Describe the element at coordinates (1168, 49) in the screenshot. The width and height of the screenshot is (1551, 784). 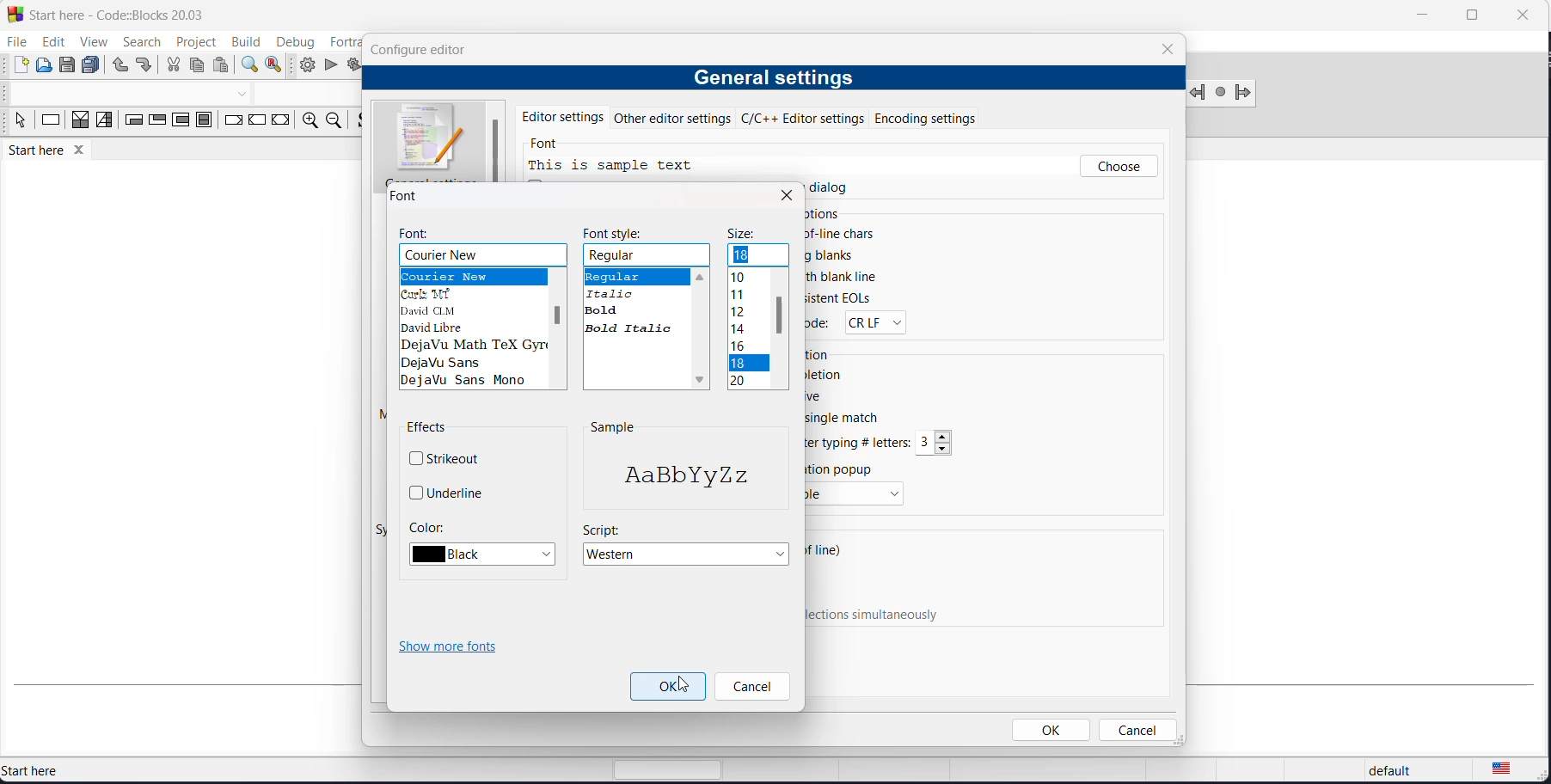
I see `close` at that location.